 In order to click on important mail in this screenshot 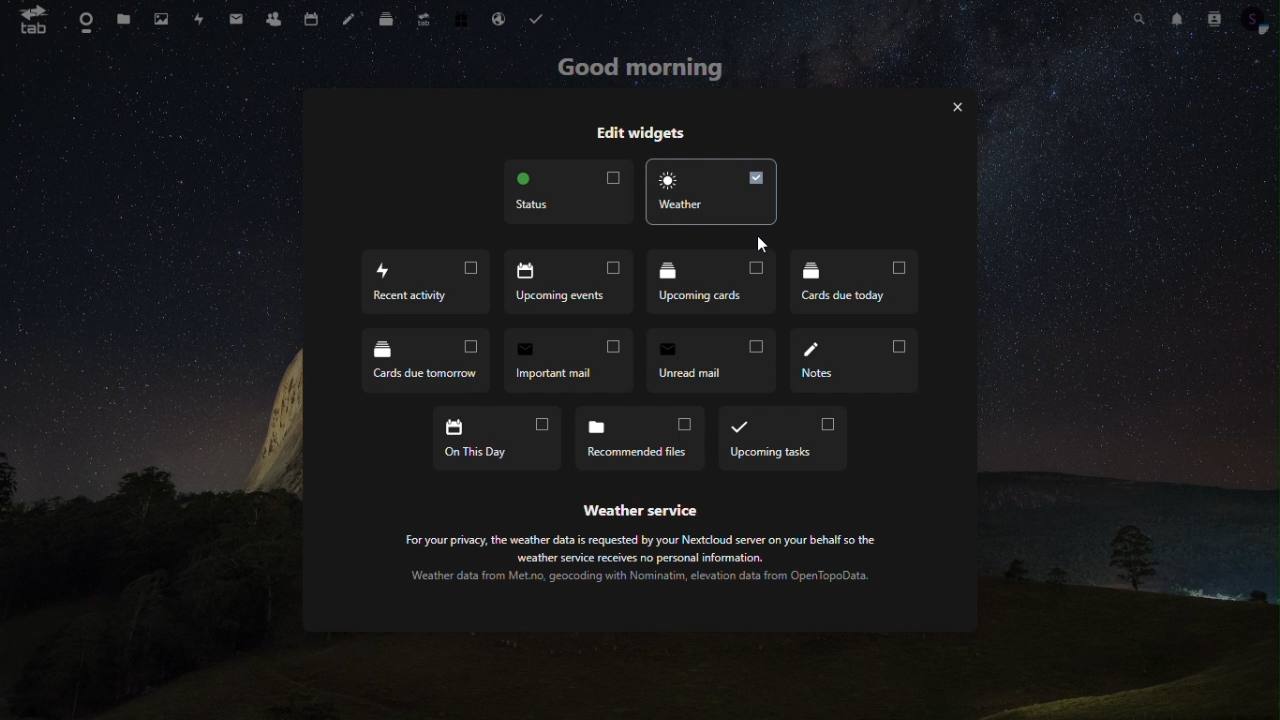, I will do `click(571, 359)`.